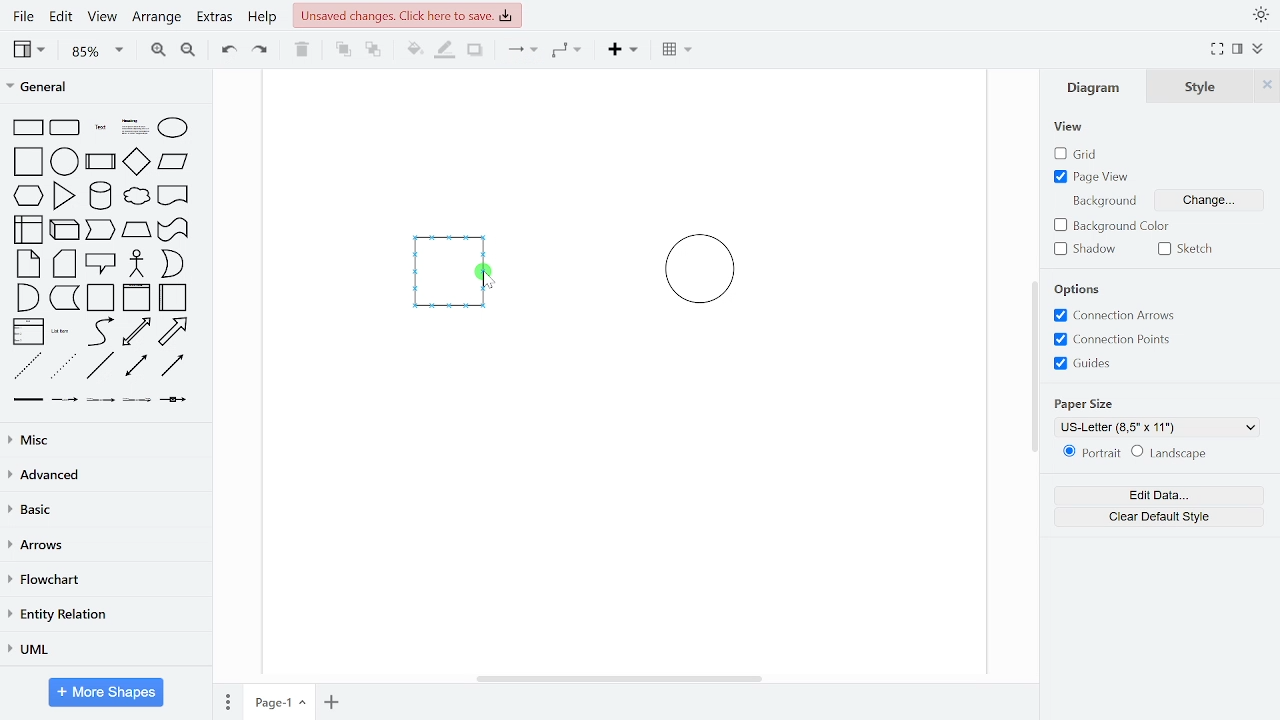  I want to click on collapse, so click(1260, 50).